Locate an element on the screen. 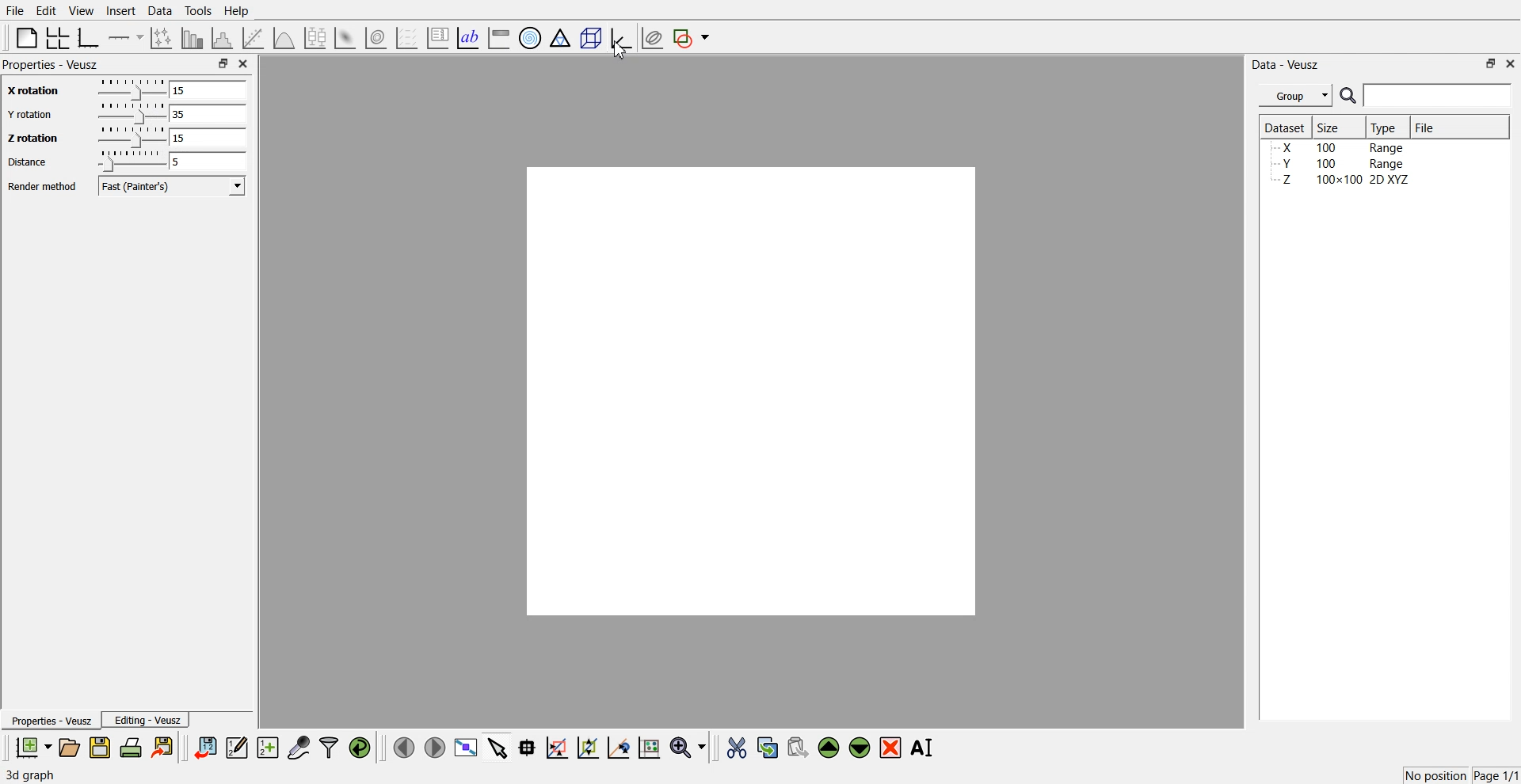  Move to the next page is located at coordinates (435, 746).